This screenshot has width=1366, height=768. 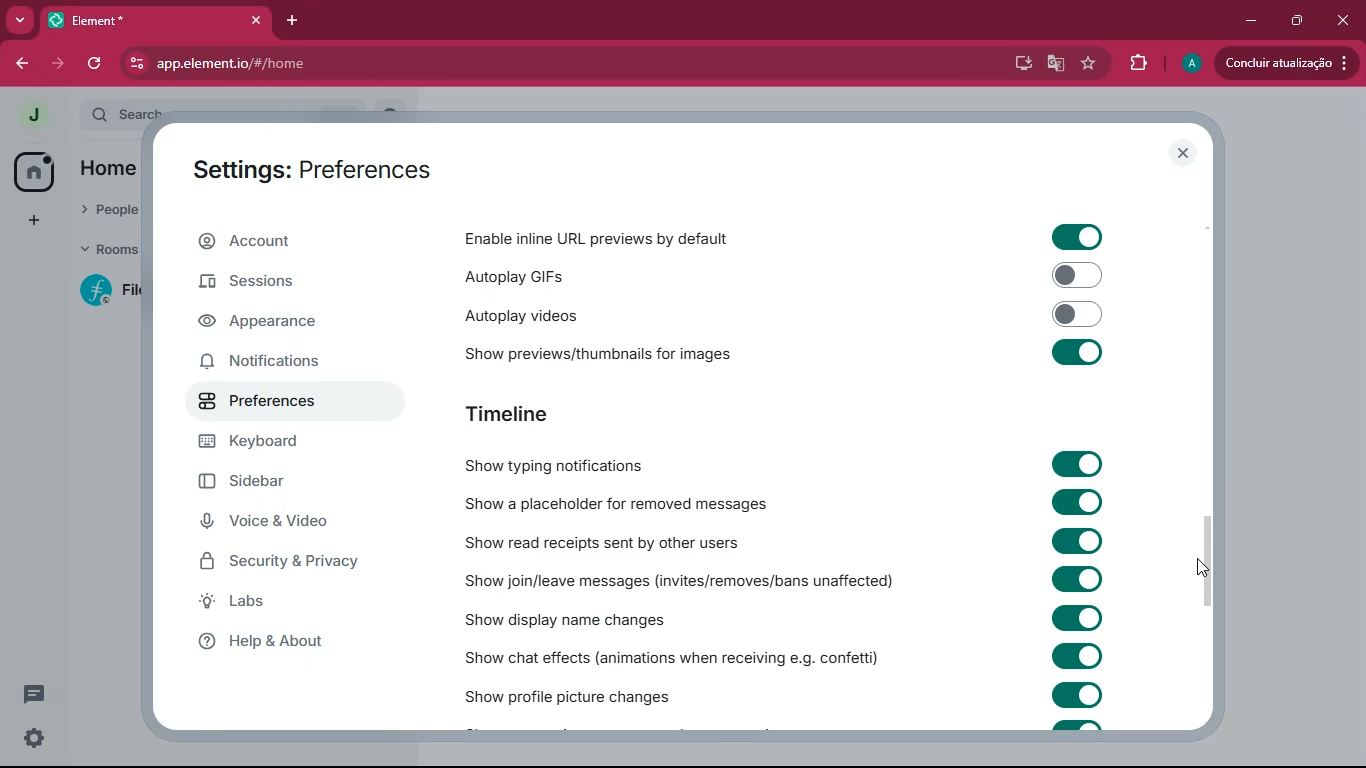 I want to click on toggle on/off, so click(x=1077, y=238).